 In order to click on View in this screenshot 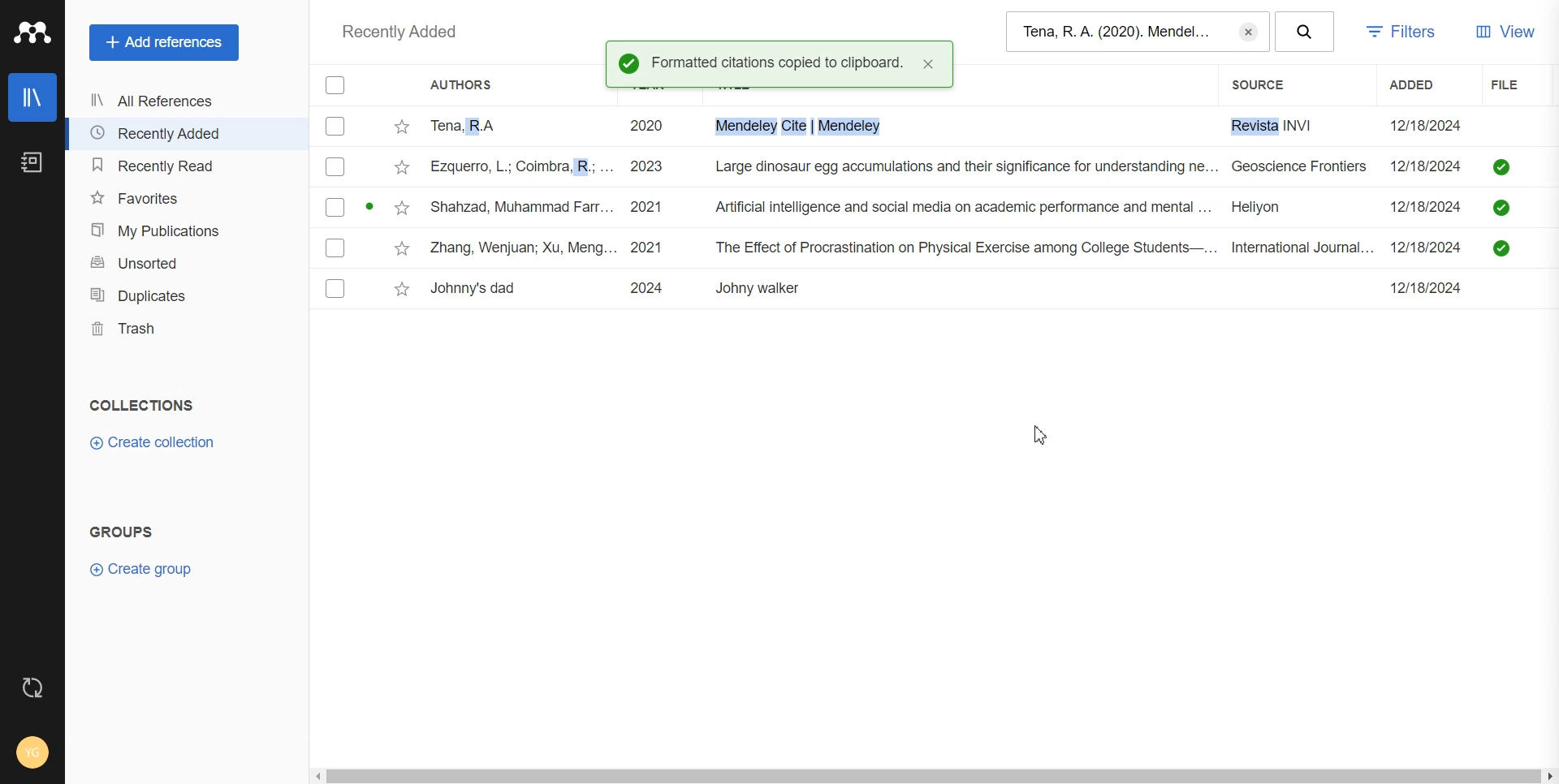, I will do `click(1507, 33)`.